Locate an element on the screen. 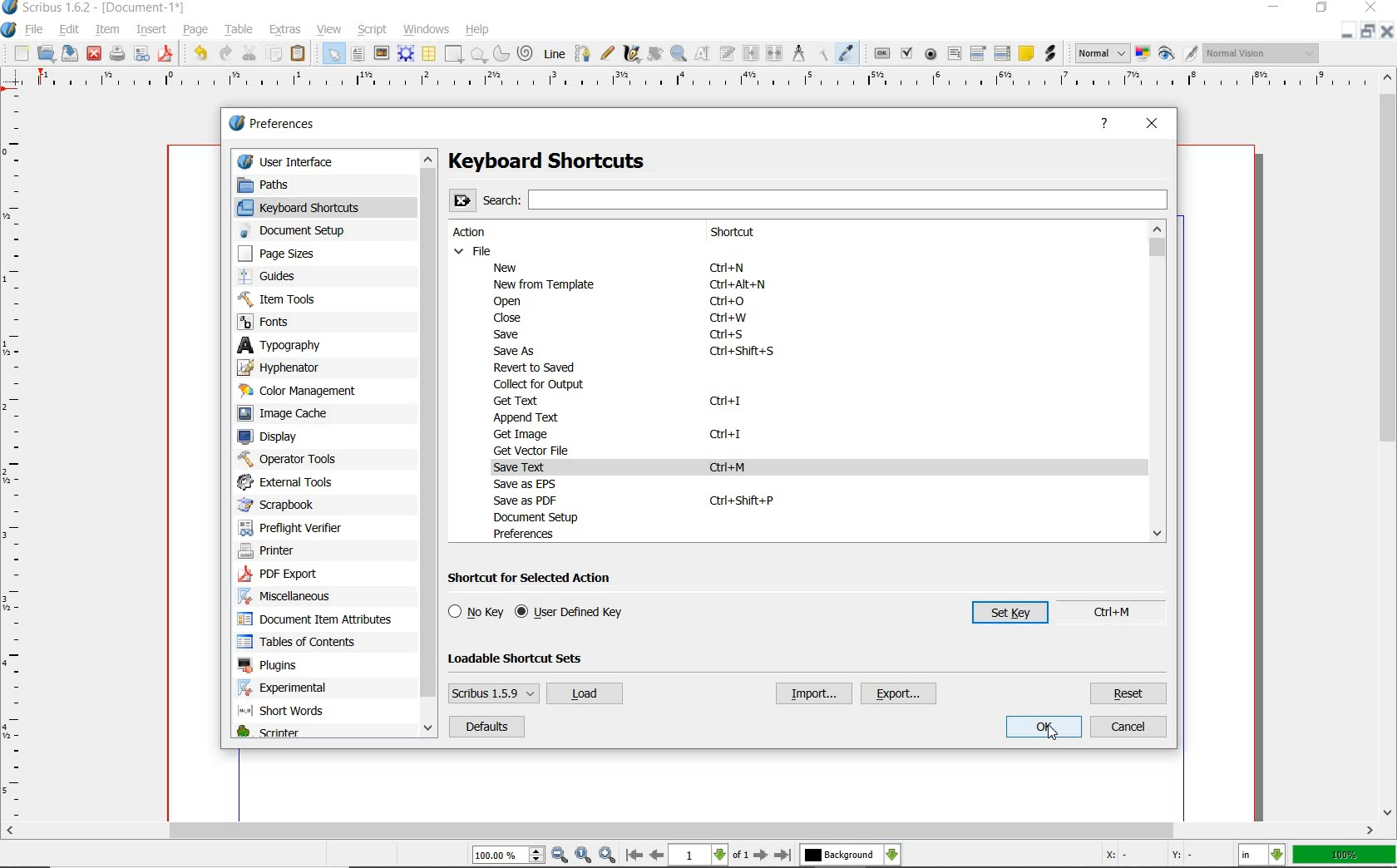 The width and height of the screenshot is (1397, 868). user defined key is located at coordinates (572, 613).